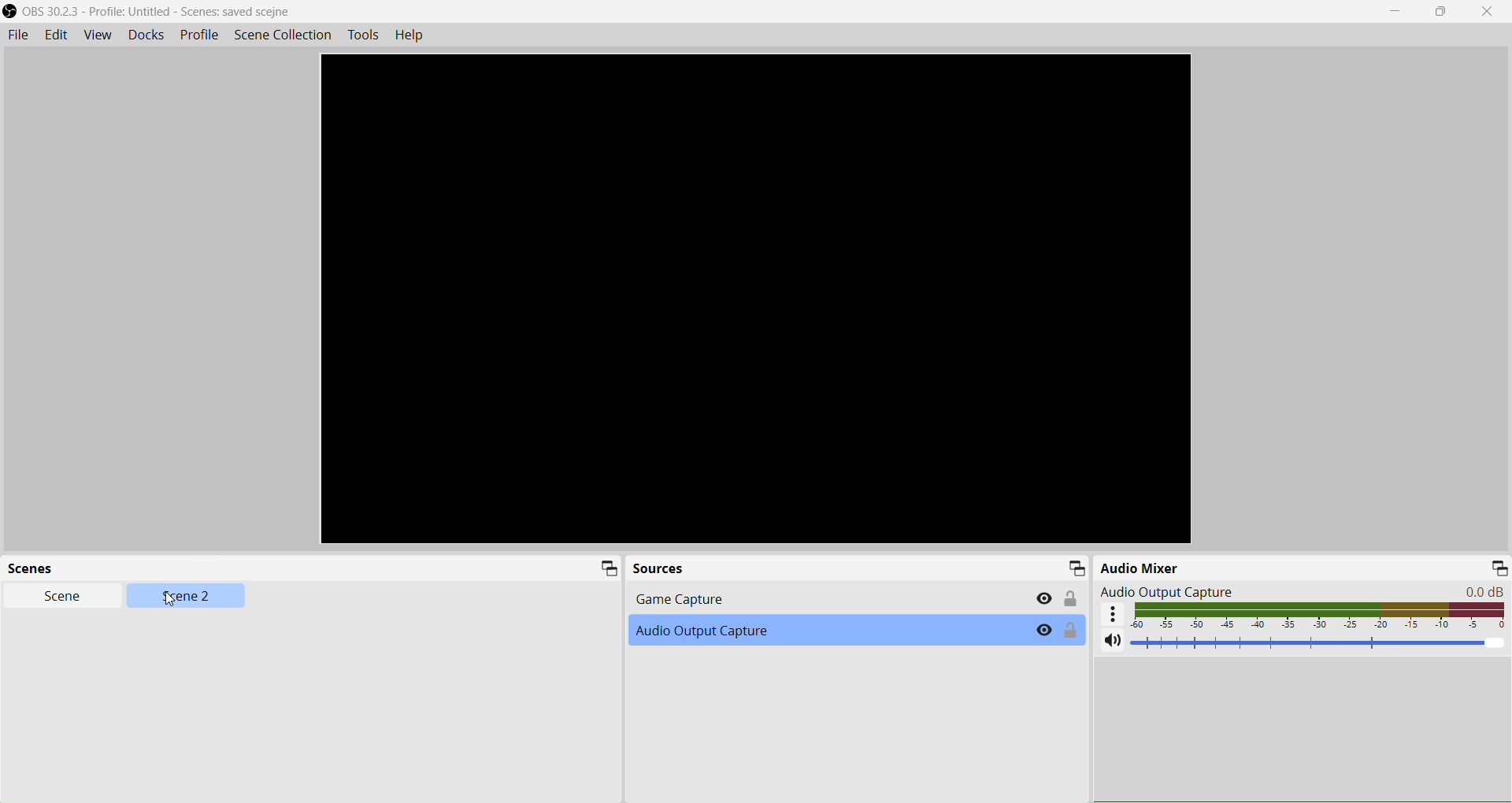 This screenshot has height=803, width=1512. Describe the element at coordinates (1395, 12) in the screenshot. I see `Minimize` at that location.